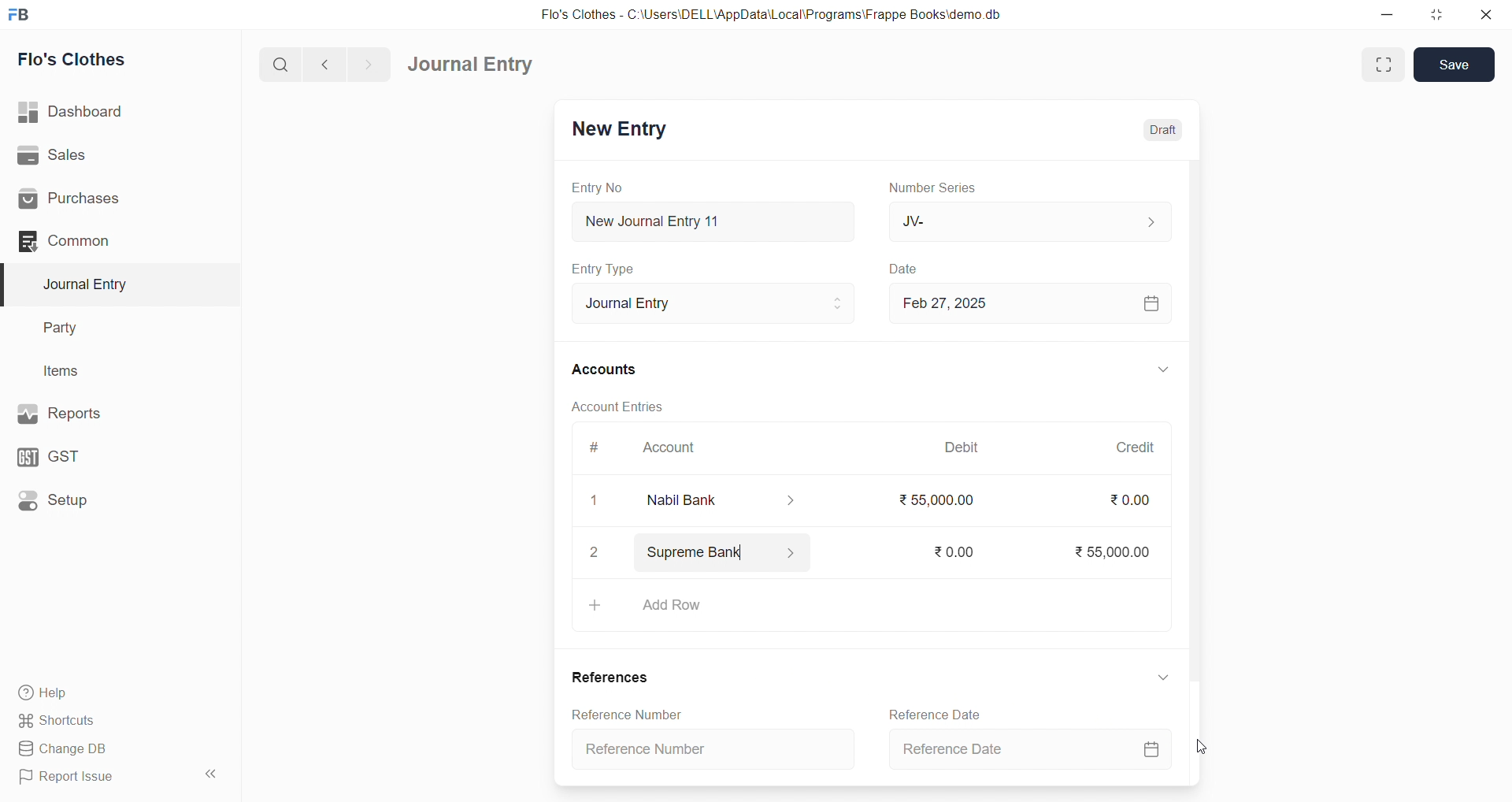  I want to click on search, so click(278, 66).